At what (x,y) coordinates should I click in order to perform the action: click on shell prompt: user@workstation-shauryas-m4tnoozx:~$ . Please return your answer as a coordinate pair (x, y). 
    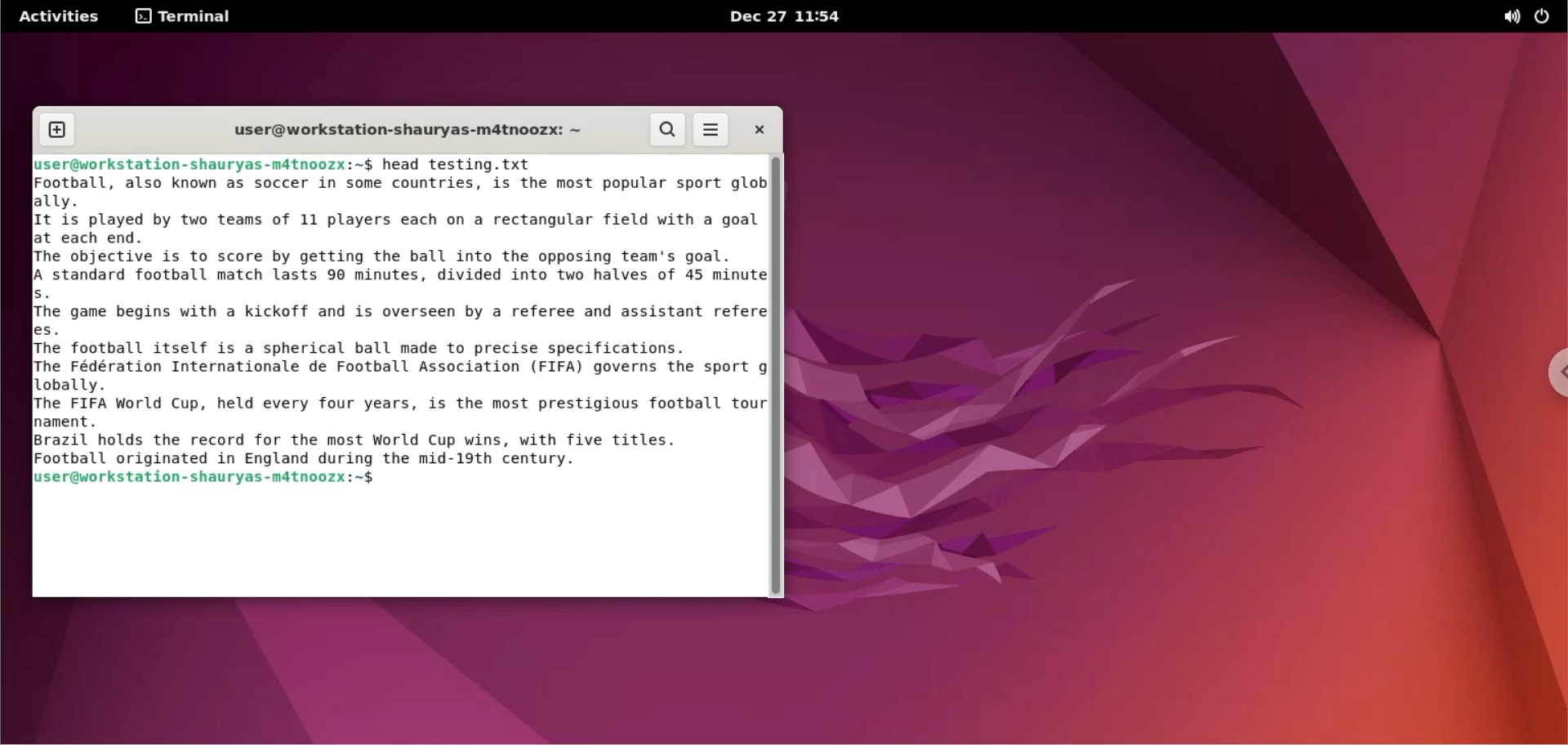
    Looking at the image, I should click on (205, 480).